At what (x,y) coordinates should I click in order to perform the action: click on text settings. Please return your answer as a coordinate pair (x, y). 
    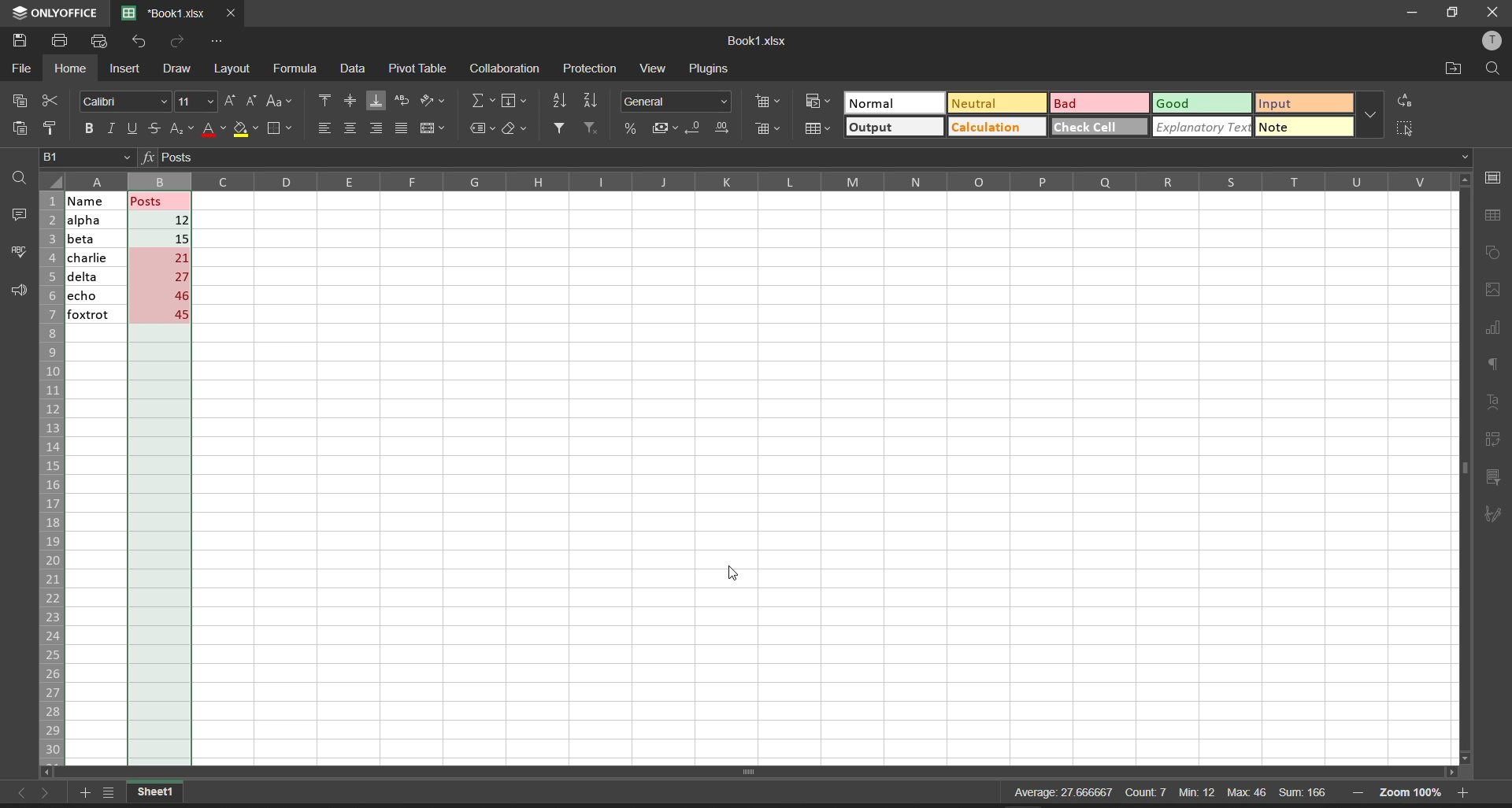
    Looking at the image, I should click on (1496, 401).